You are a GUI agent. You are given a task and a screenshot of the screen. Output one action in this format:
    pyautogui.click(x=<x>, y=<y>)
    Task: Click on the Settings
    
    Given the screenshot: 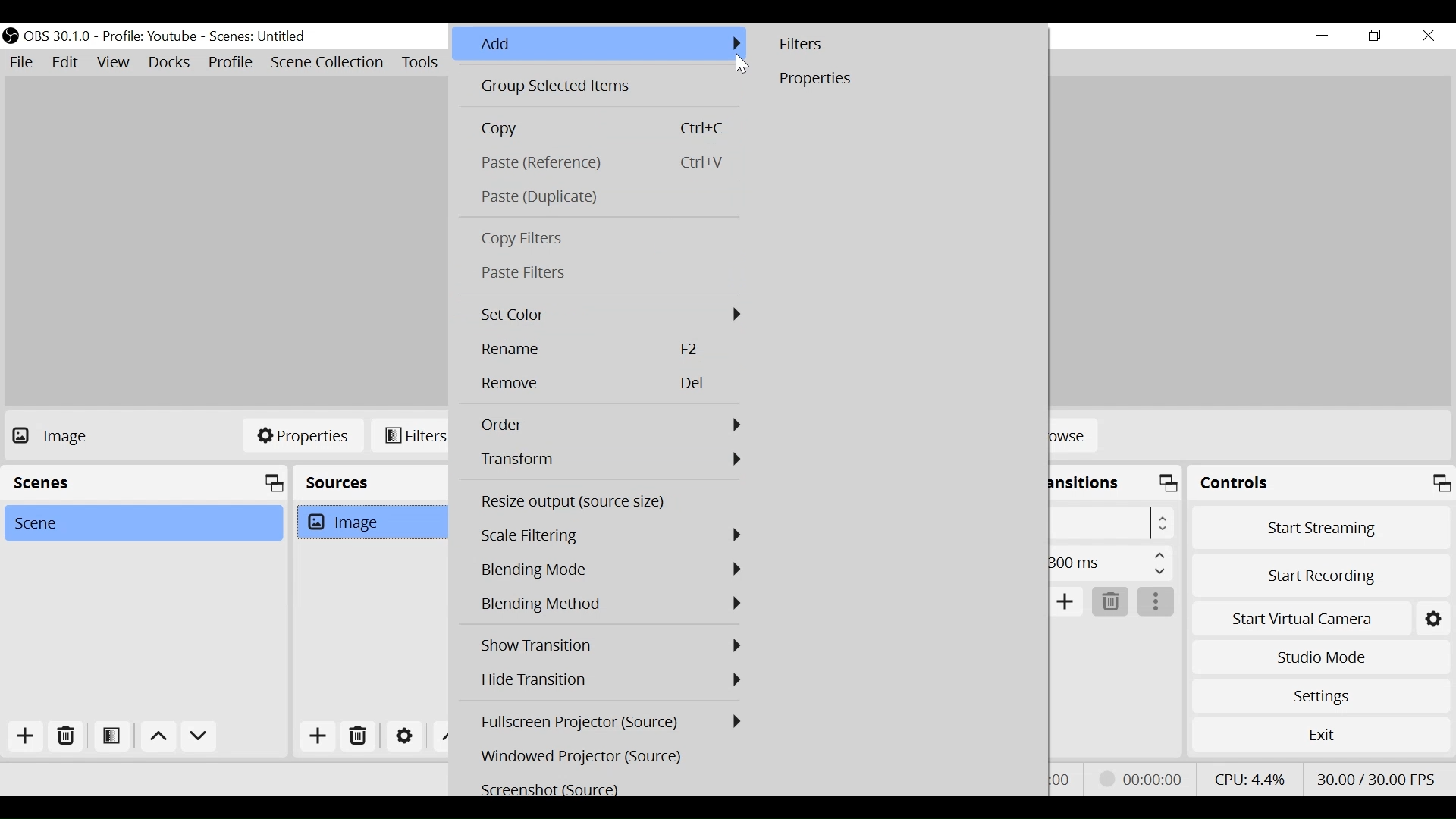 What is the action you would take?
    pyautogui.click(x=1431, y=620)
    